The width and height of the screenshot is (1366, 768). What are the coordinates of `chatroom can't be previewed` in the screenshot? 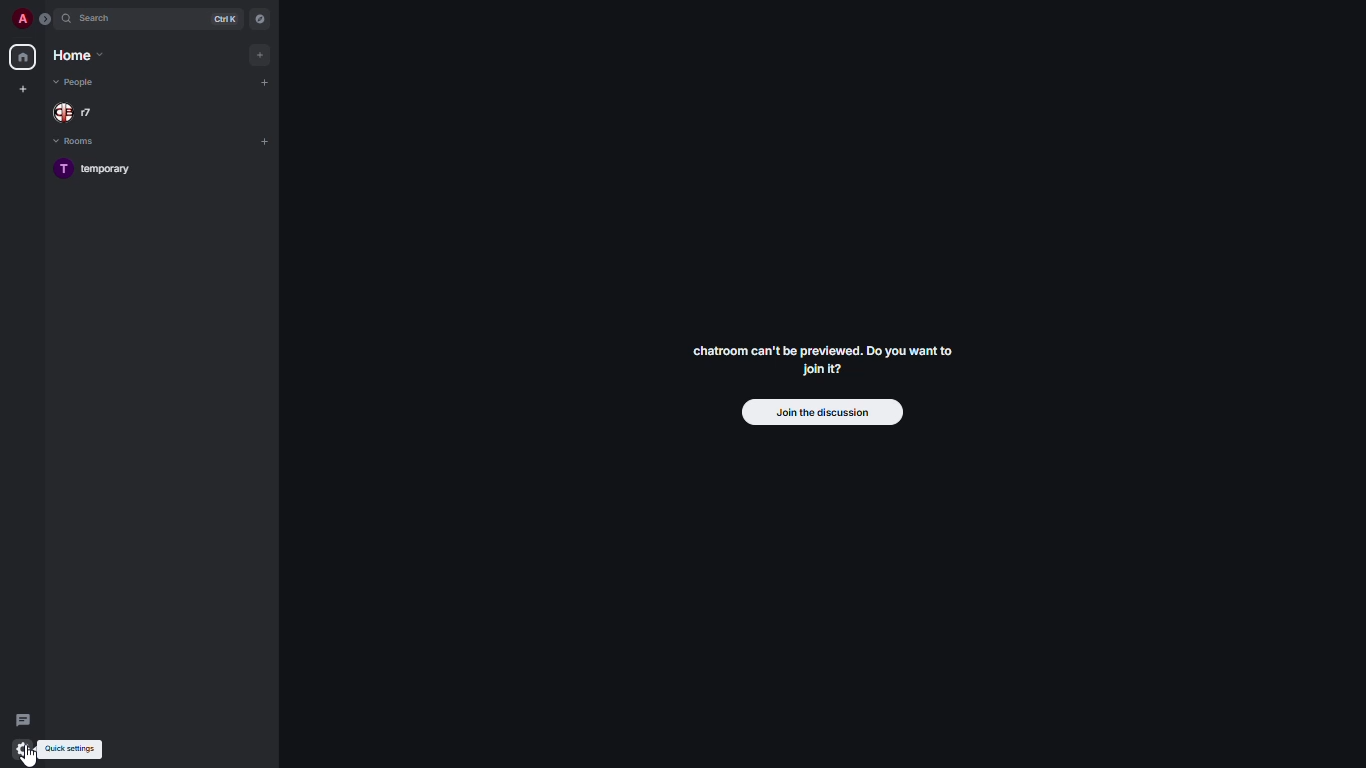 It's located at (823, 363).